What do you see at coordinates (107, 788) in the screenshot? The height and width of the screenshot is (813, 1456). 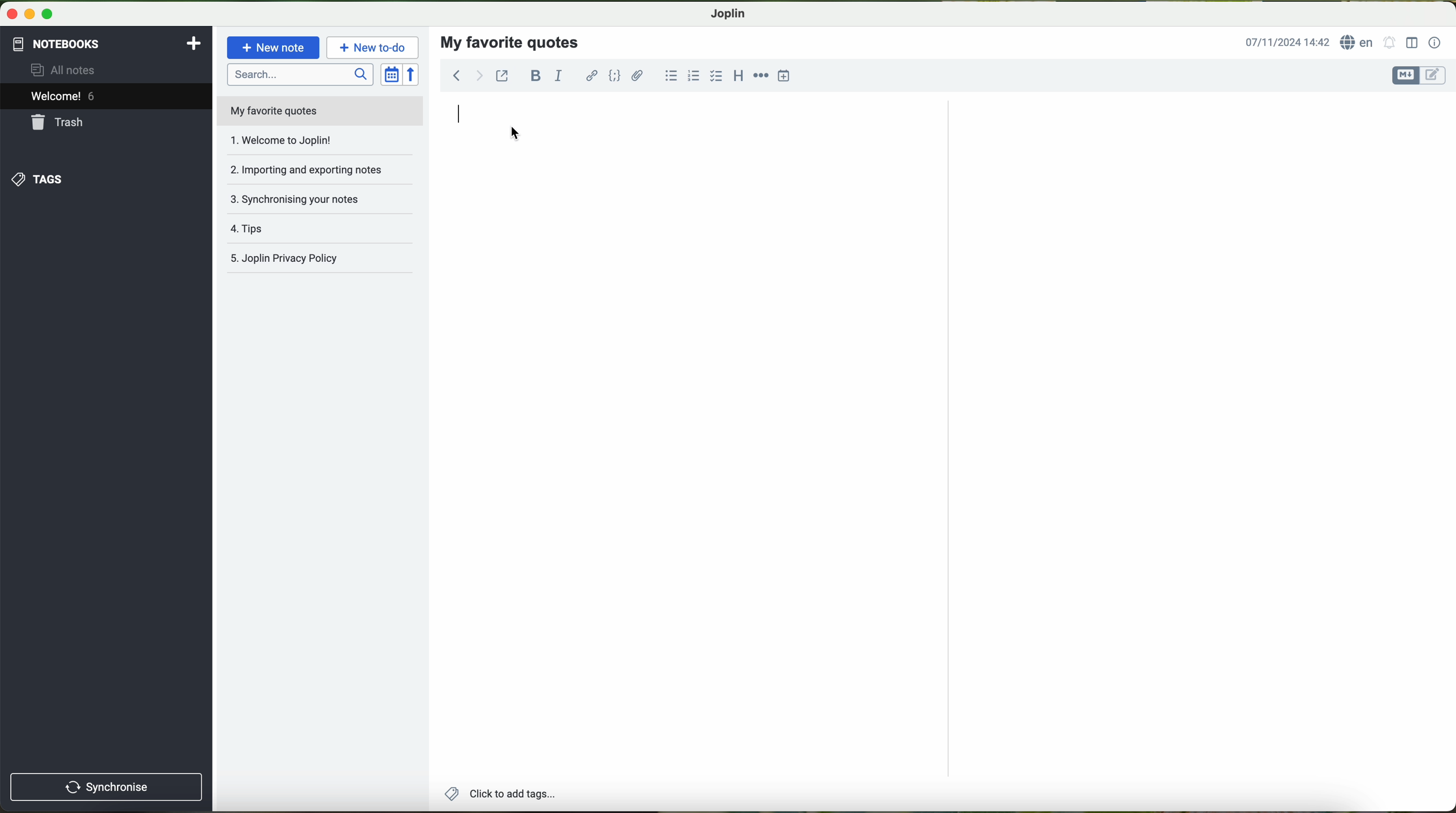 I see `synchronise button` at bounding box center [107, 788].